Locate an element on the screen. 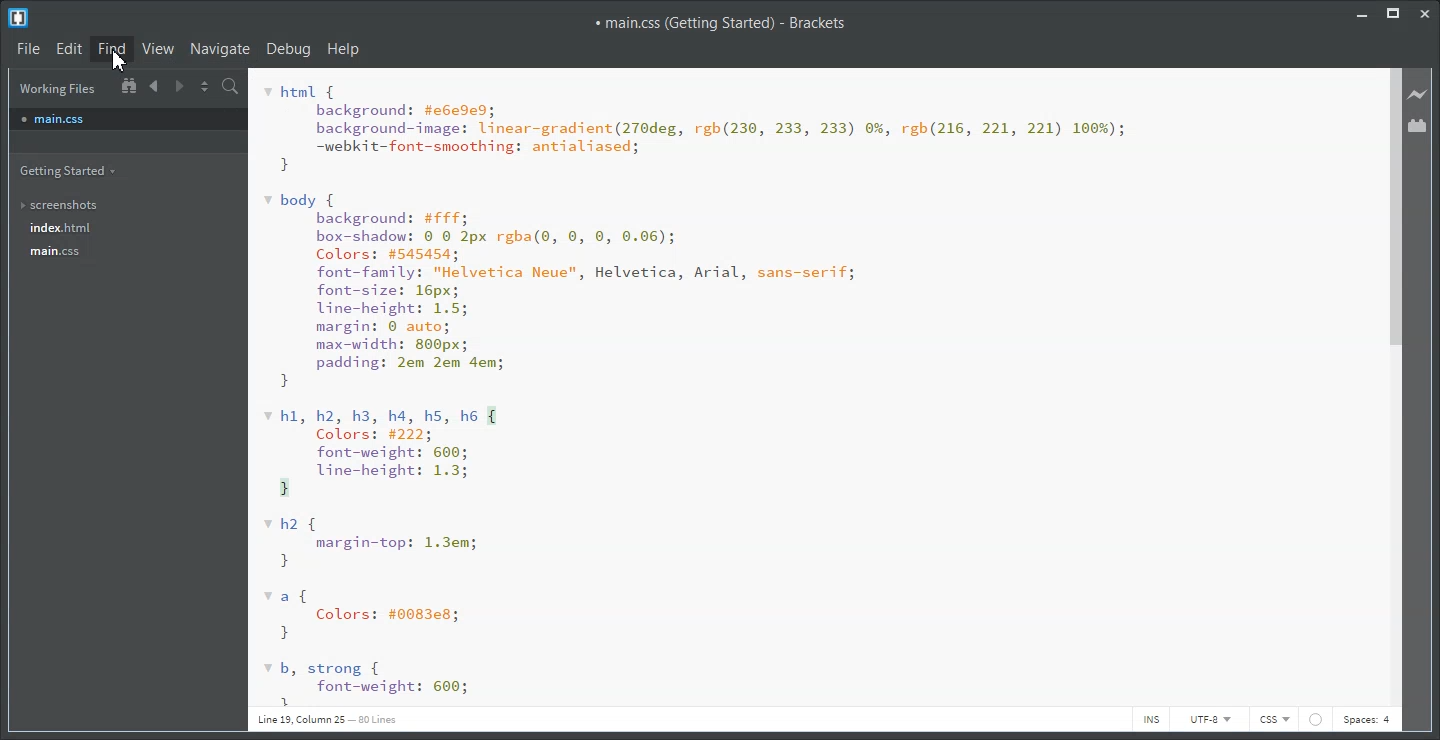 This screenshot has height=740, width=1440. icon is located at coordinates (1315, 719).